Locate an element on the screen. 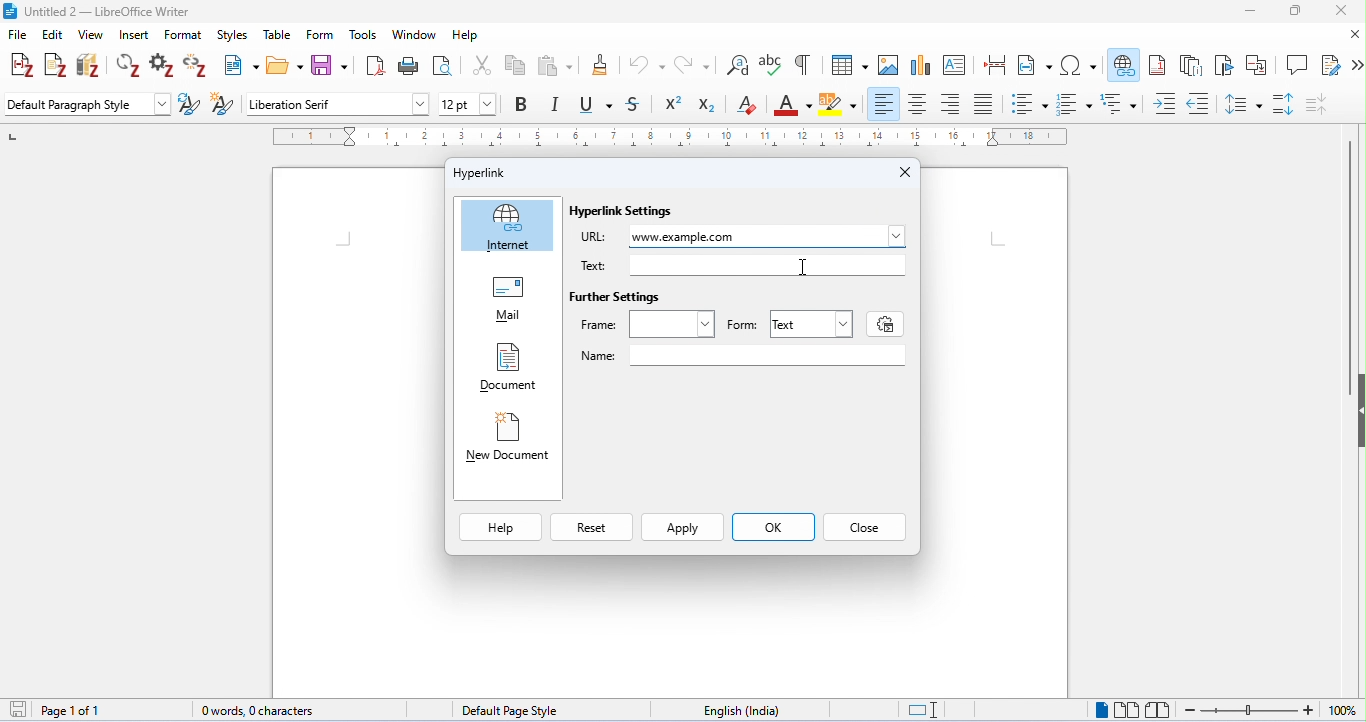 Image resolution: width=1366 pixels, height=722 pixels. multilevel list is located at coordinates (1121, 105).